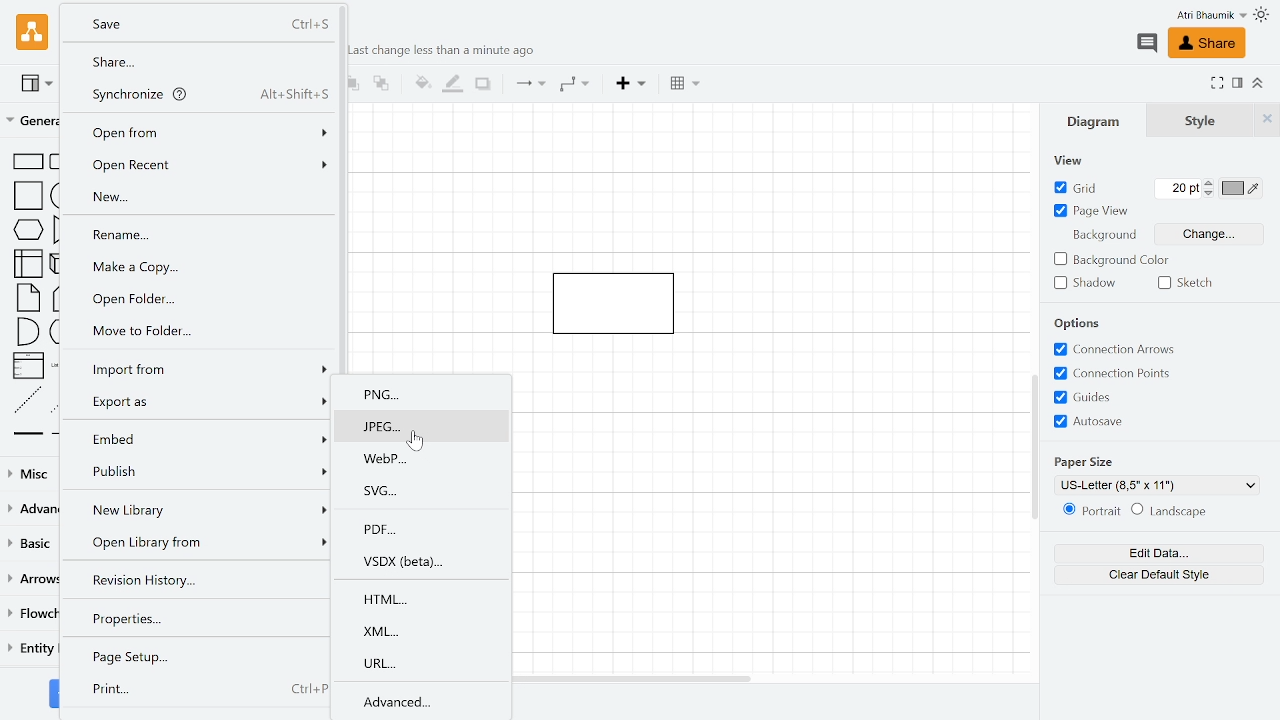  What do you see at coordinates (197, 401) in the screenshot?
I see `Export as` at bounding box center [197, 401].